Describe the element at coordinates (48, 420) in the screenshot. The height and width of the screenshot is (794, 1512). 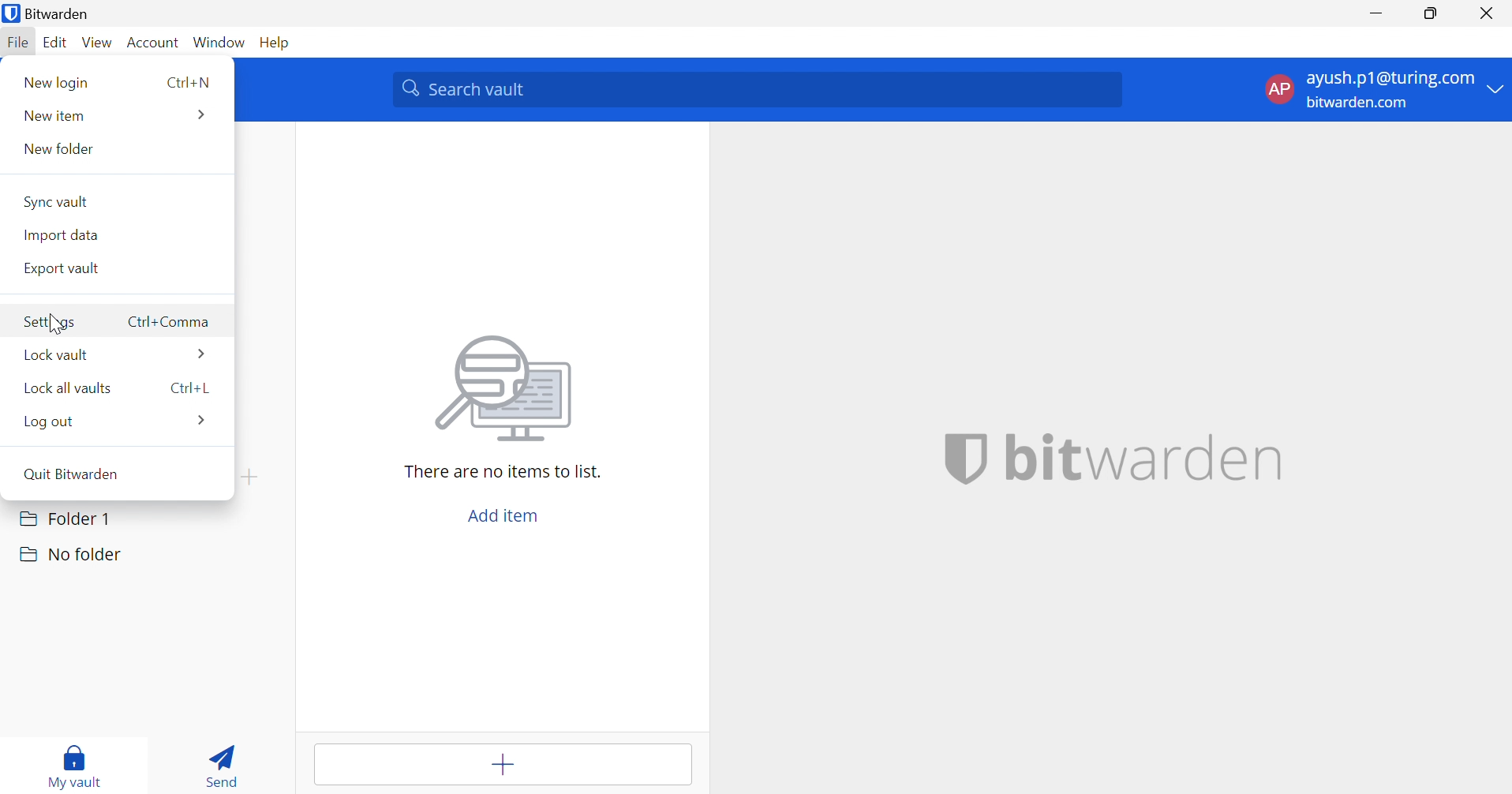
I see `Log out` at that location.